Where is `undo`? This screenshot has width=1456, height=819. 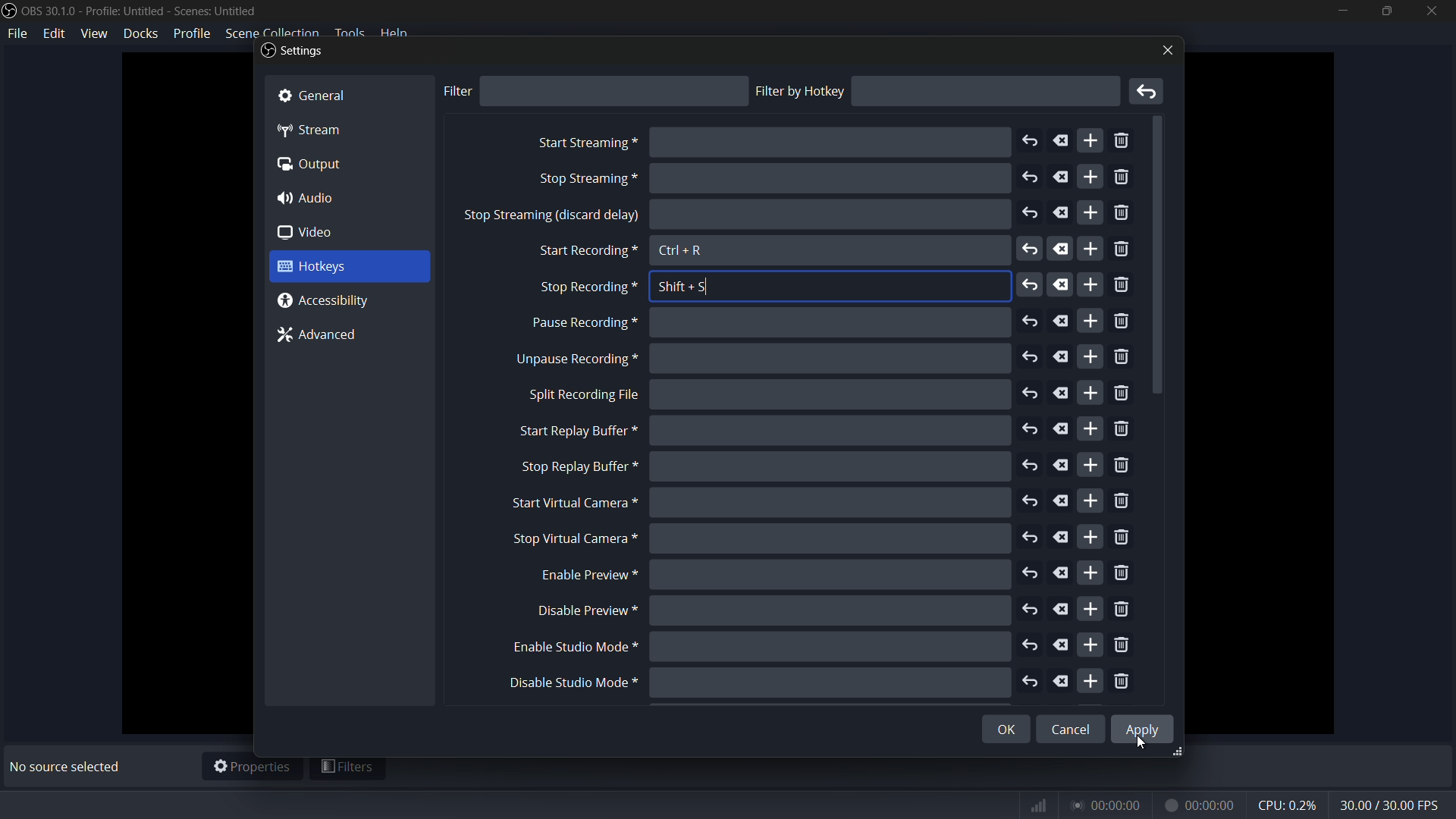 undo is located at coordinates (1030, 607).